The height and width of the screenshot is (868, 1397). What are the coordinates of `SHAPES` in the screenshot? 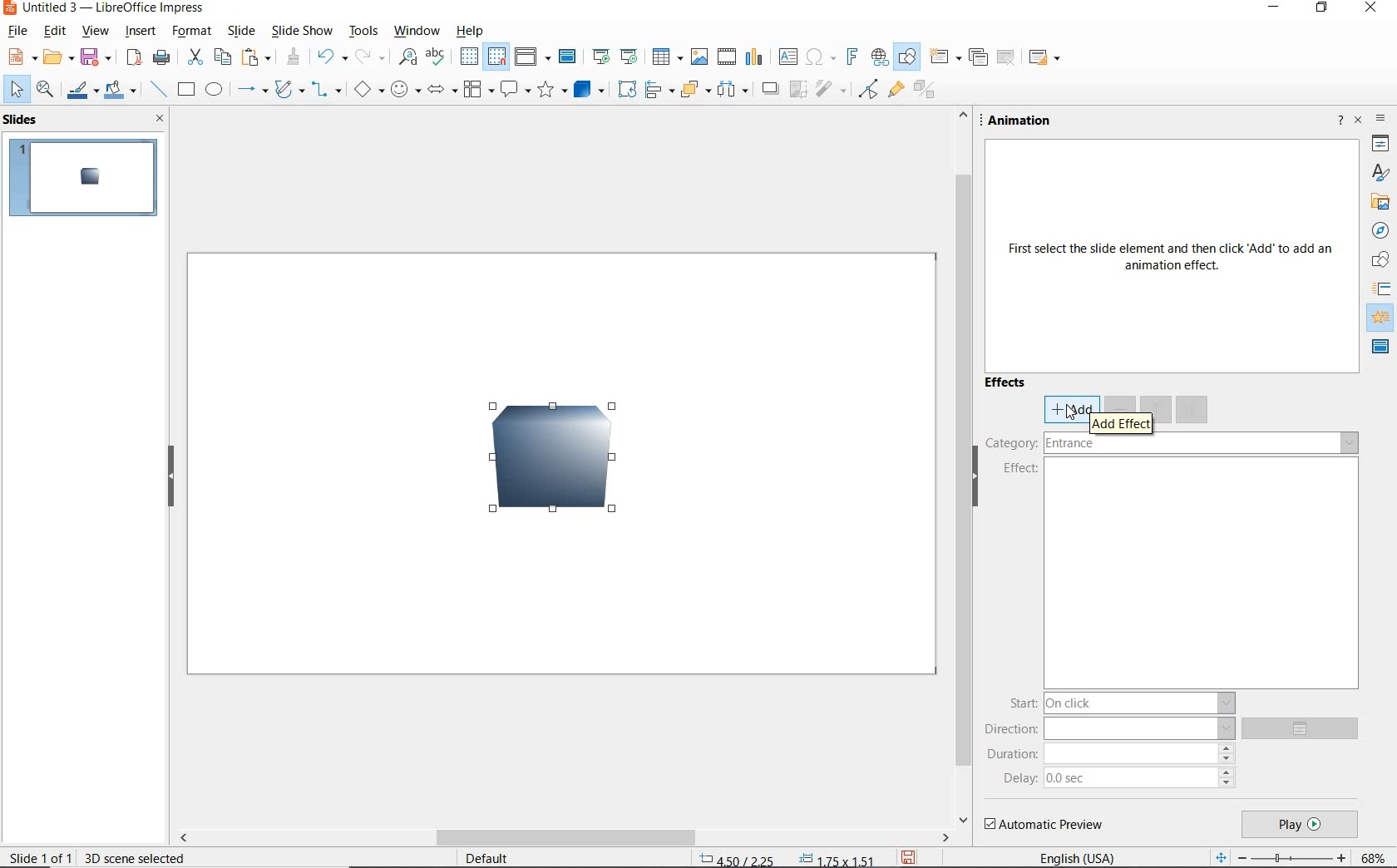 It's located at (1381, 261).